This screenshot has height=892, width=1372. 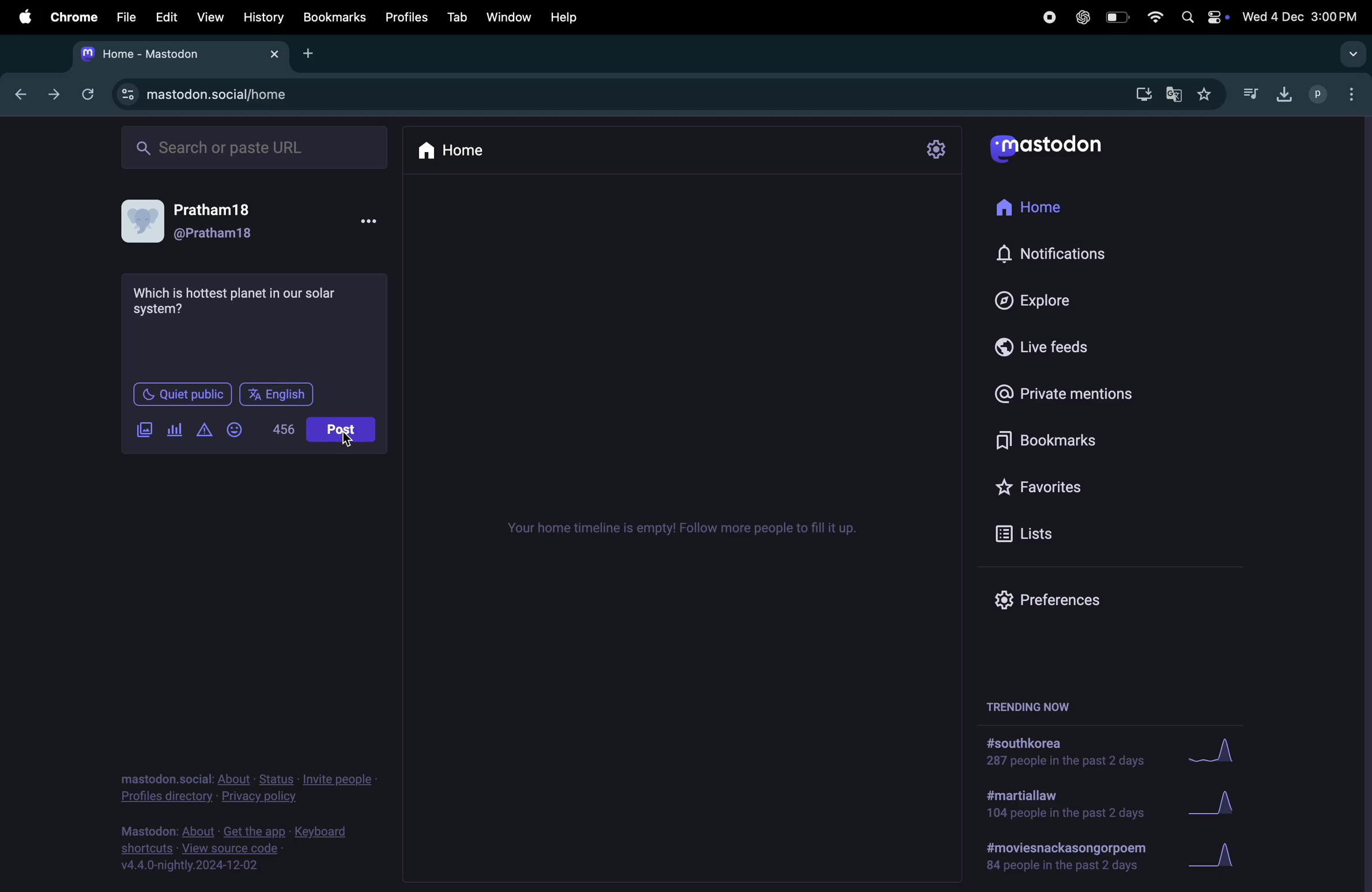 I want to click on refresh, so click(x=87, y=95).